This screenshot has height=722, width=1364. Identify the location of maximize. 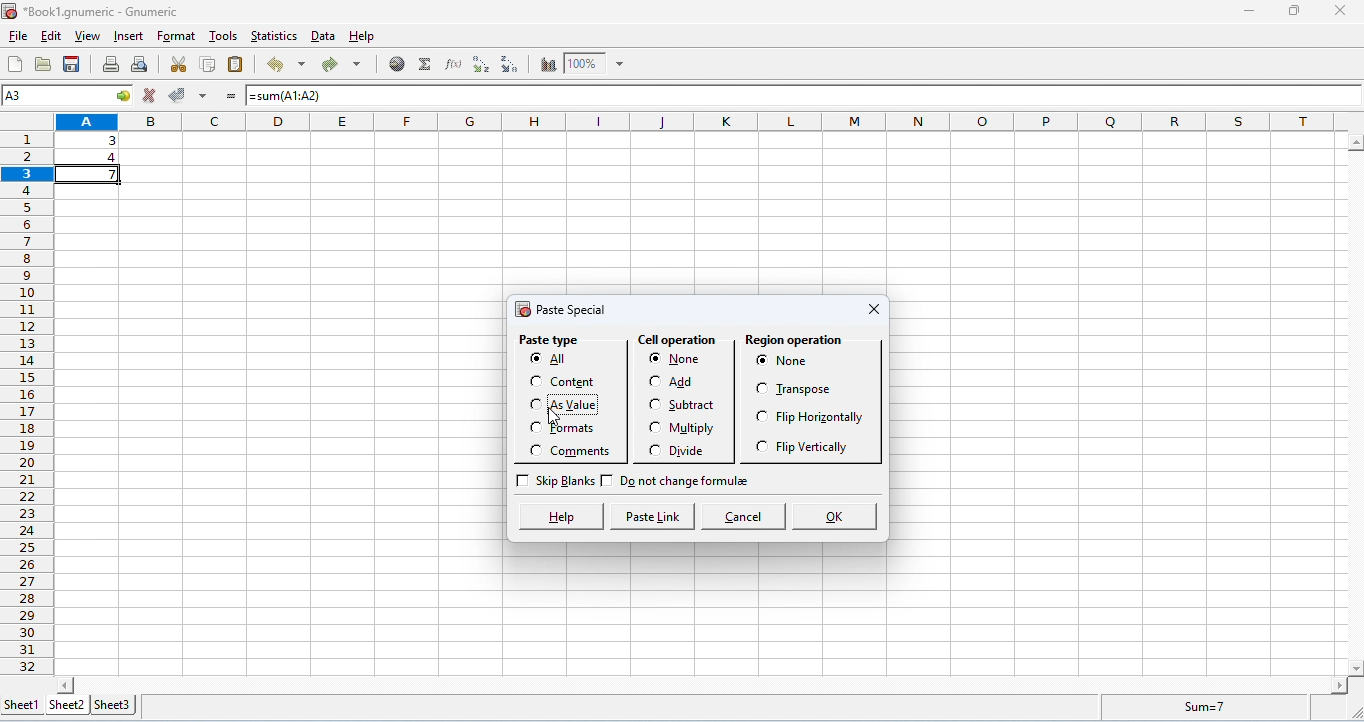
(1294, 11).